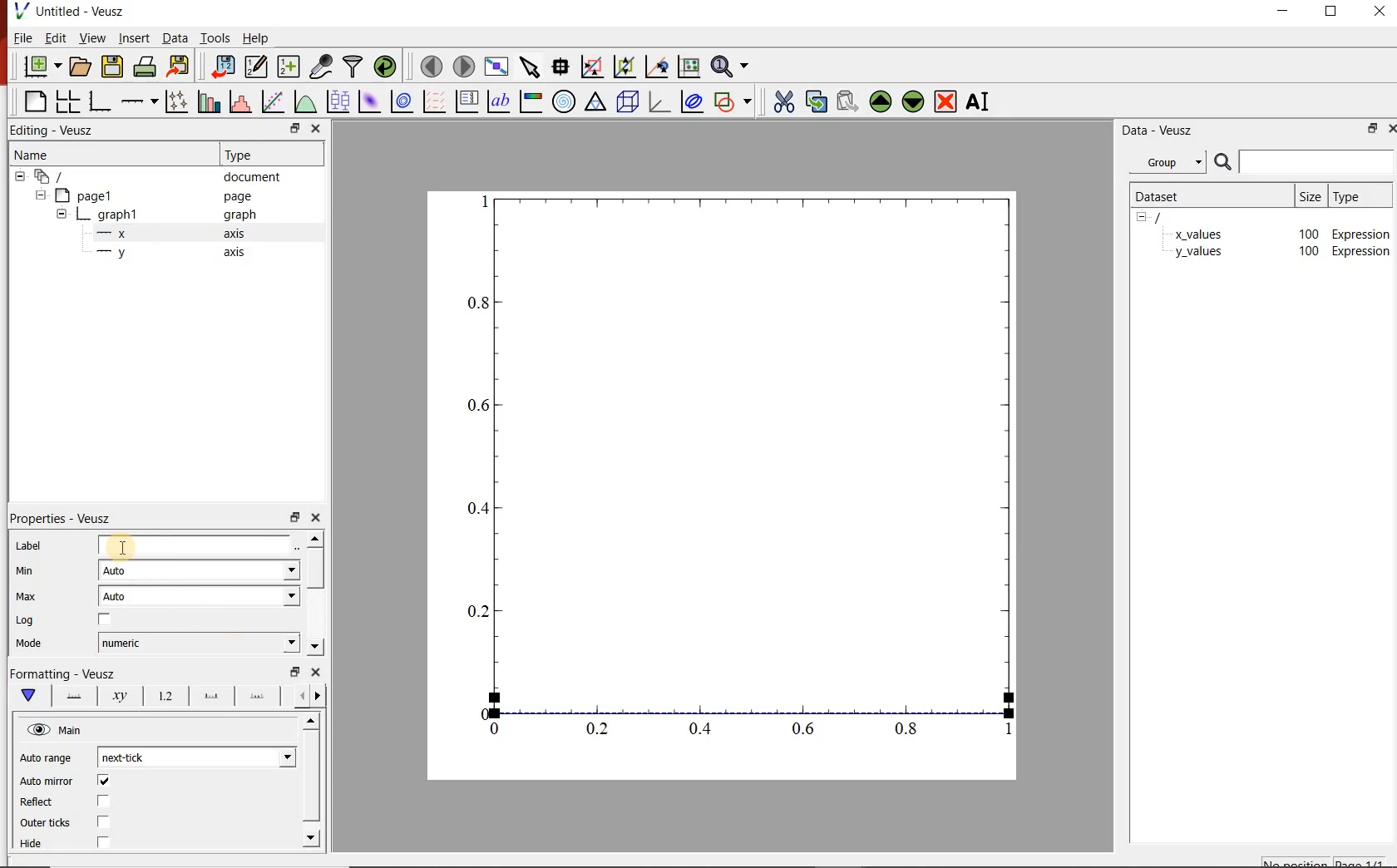  Describe the element at coordinates (815, 102) in the screenshot. I see `copy the selected widget` at that location.